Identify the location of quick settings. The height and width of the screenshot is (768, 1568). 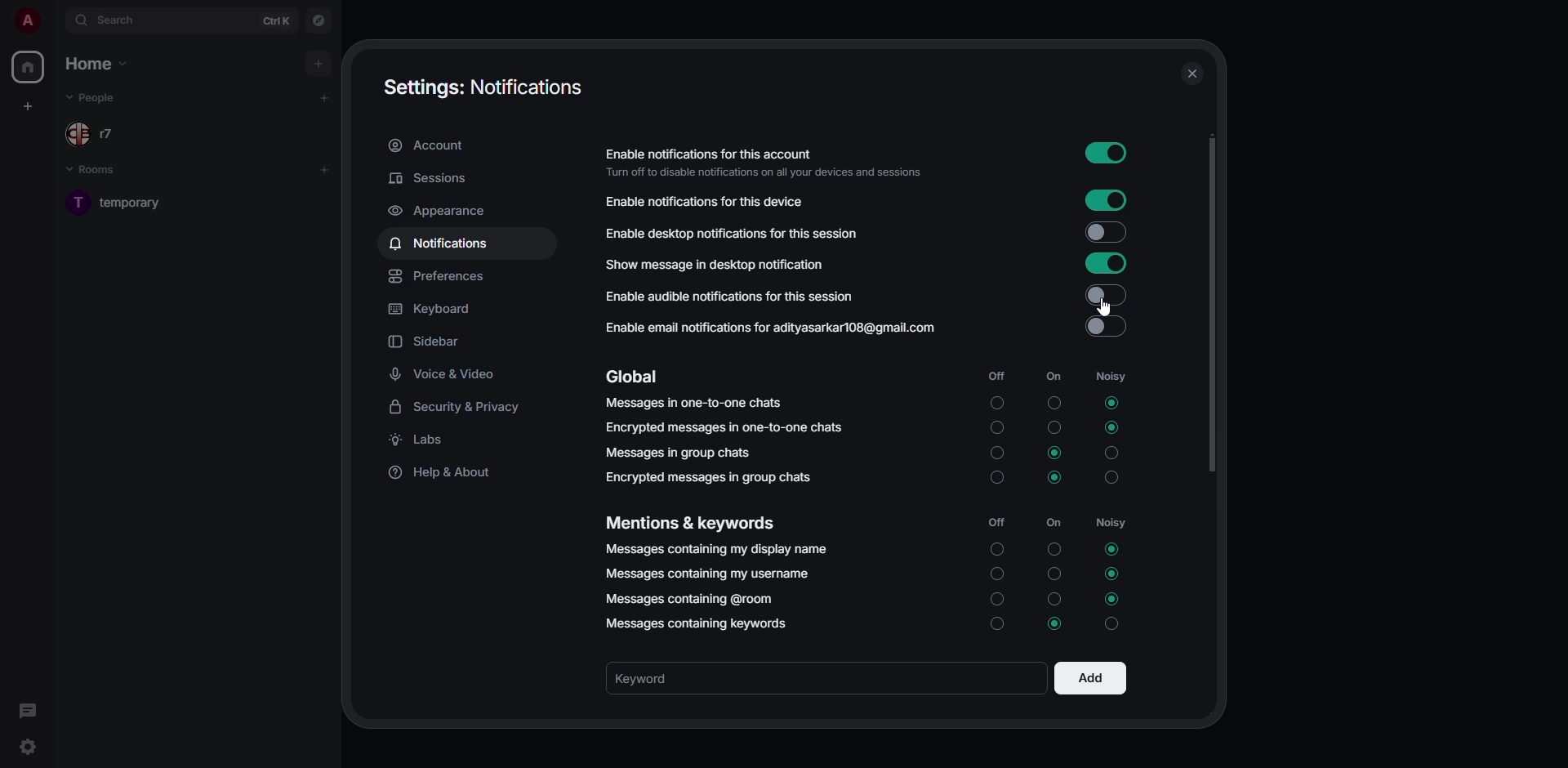
(27, 743).